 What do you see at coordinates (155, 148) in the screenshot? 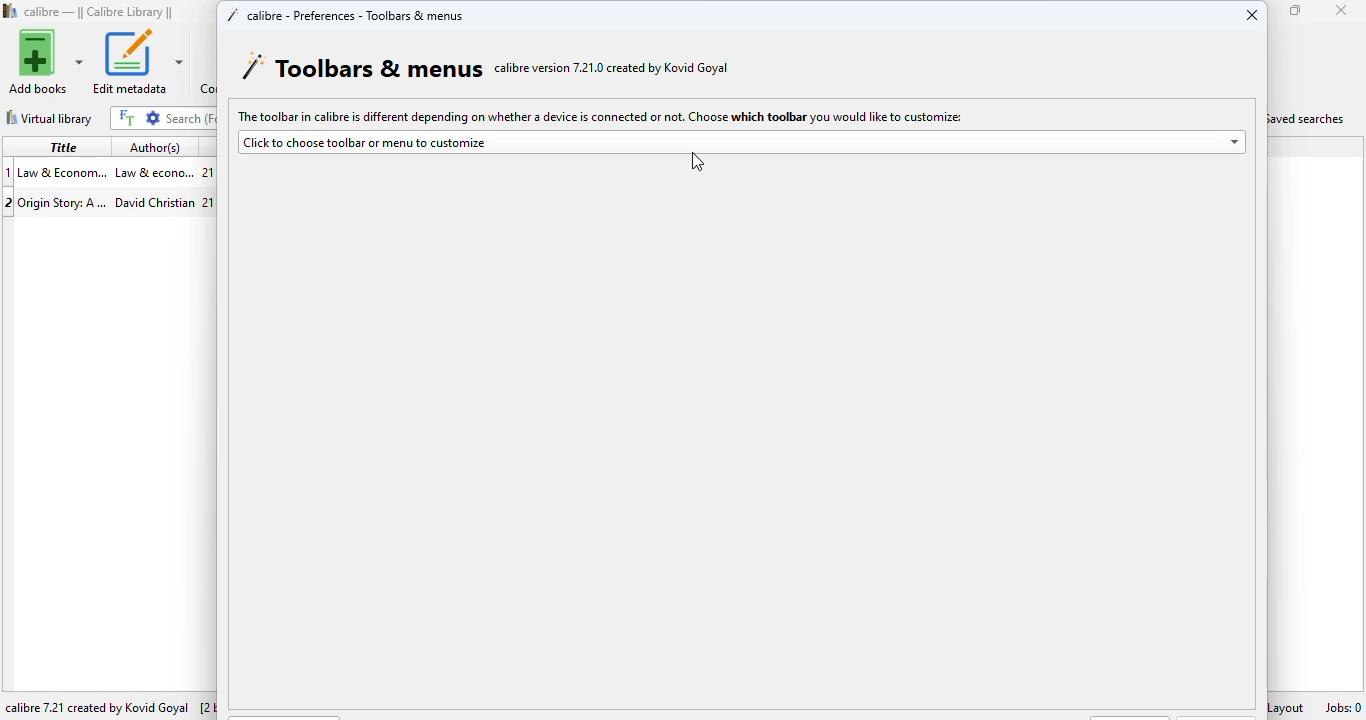
I see `author(s)` at bounding box center [155, 148].